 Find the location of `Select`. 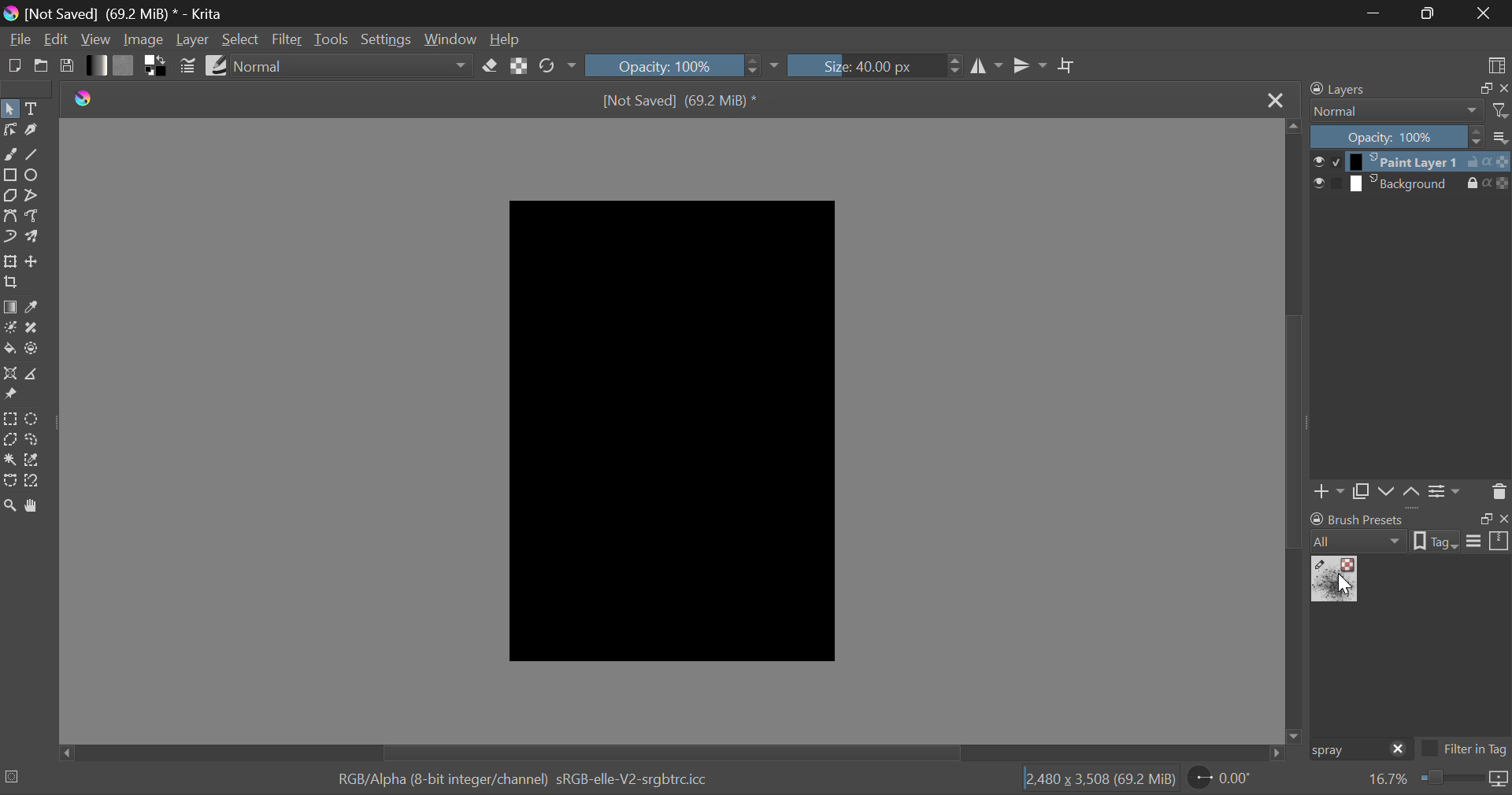

Select is located at coordinates (9, 109).